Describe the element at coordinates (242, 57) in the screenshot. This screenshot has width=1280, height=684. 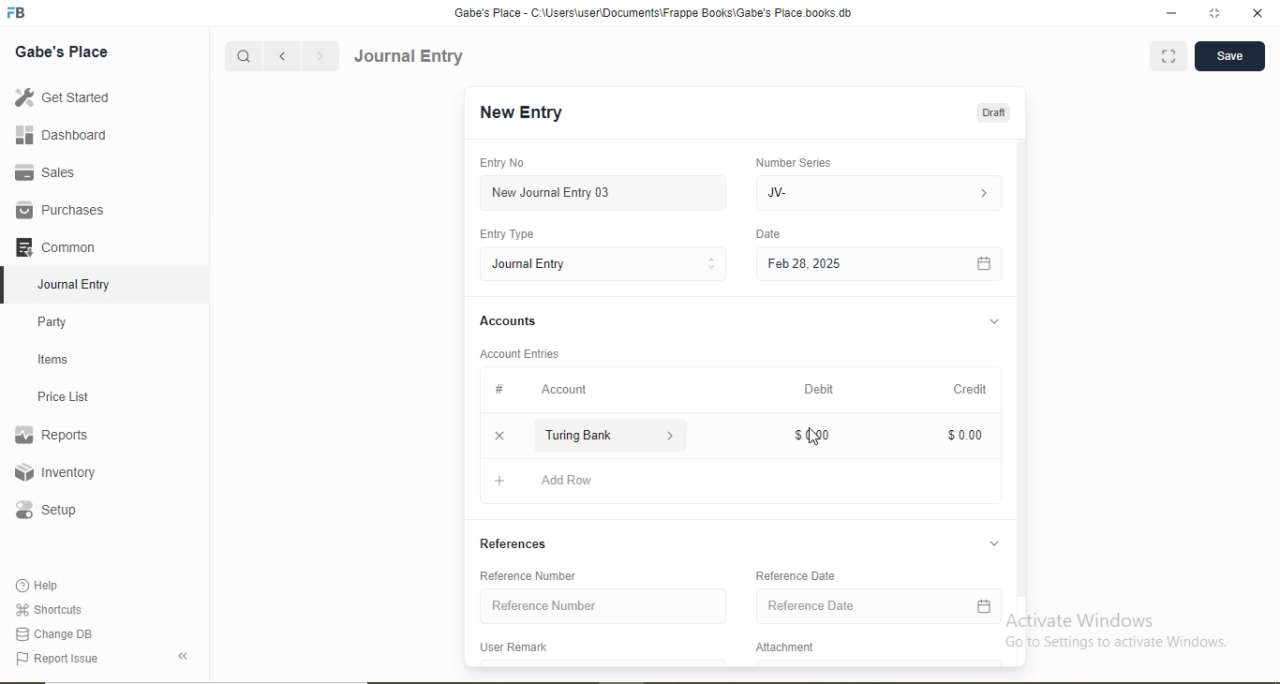
I see `Search` at that location.